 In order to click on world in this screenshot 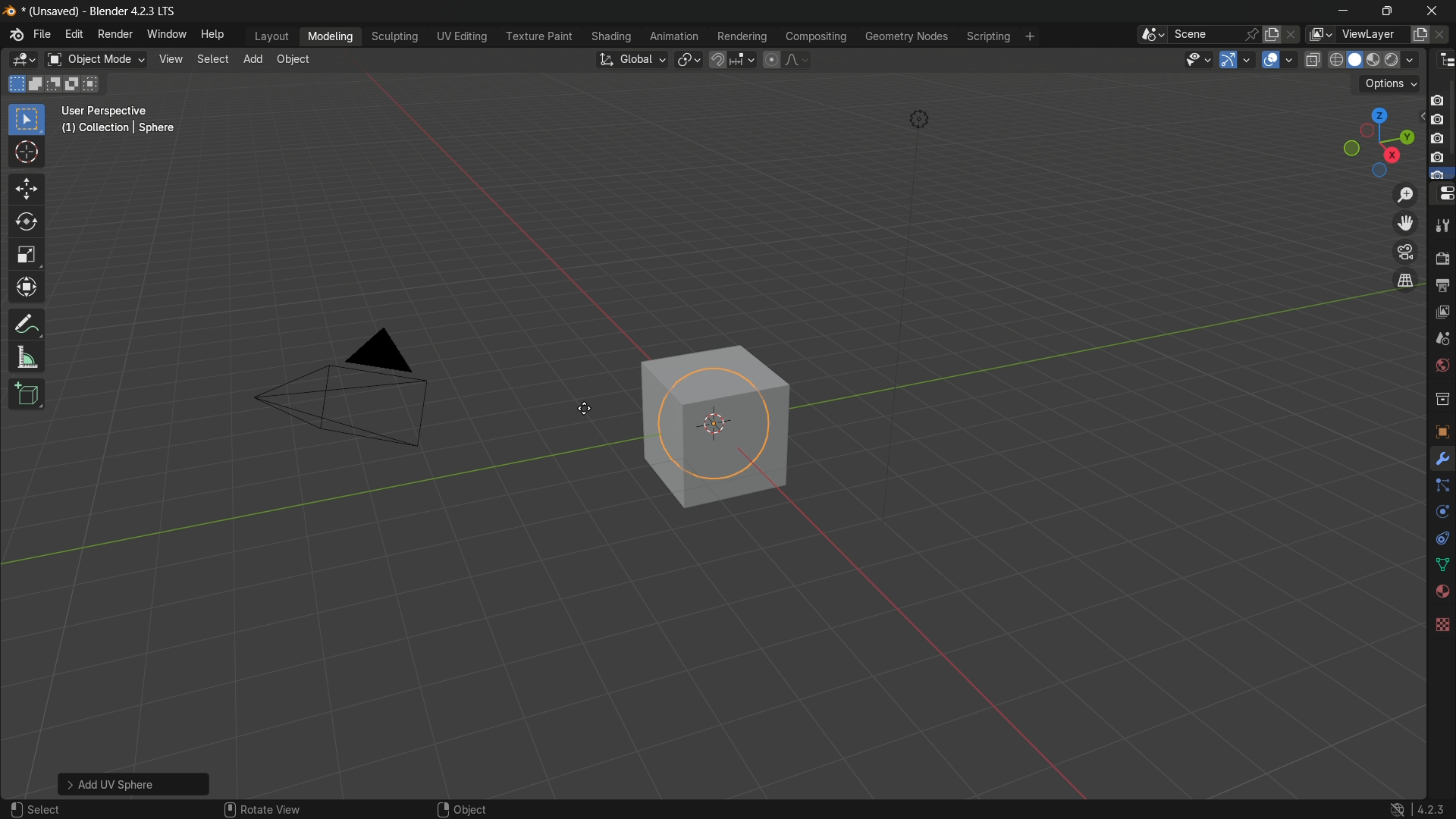, I will do `click(1442, 366)`.